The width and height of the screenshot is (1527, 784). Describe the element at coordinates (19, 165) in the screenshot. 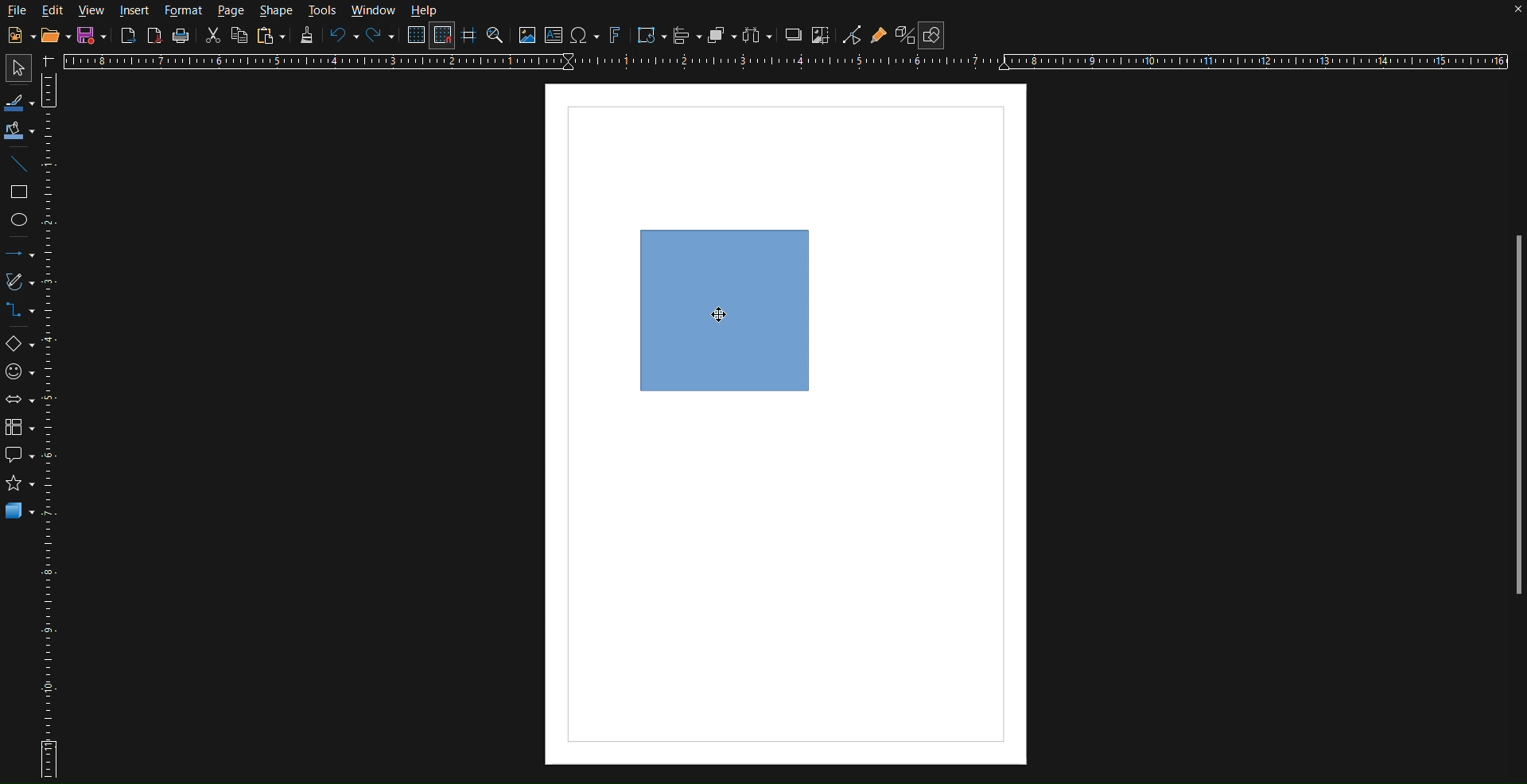

I see `Line` at that location.